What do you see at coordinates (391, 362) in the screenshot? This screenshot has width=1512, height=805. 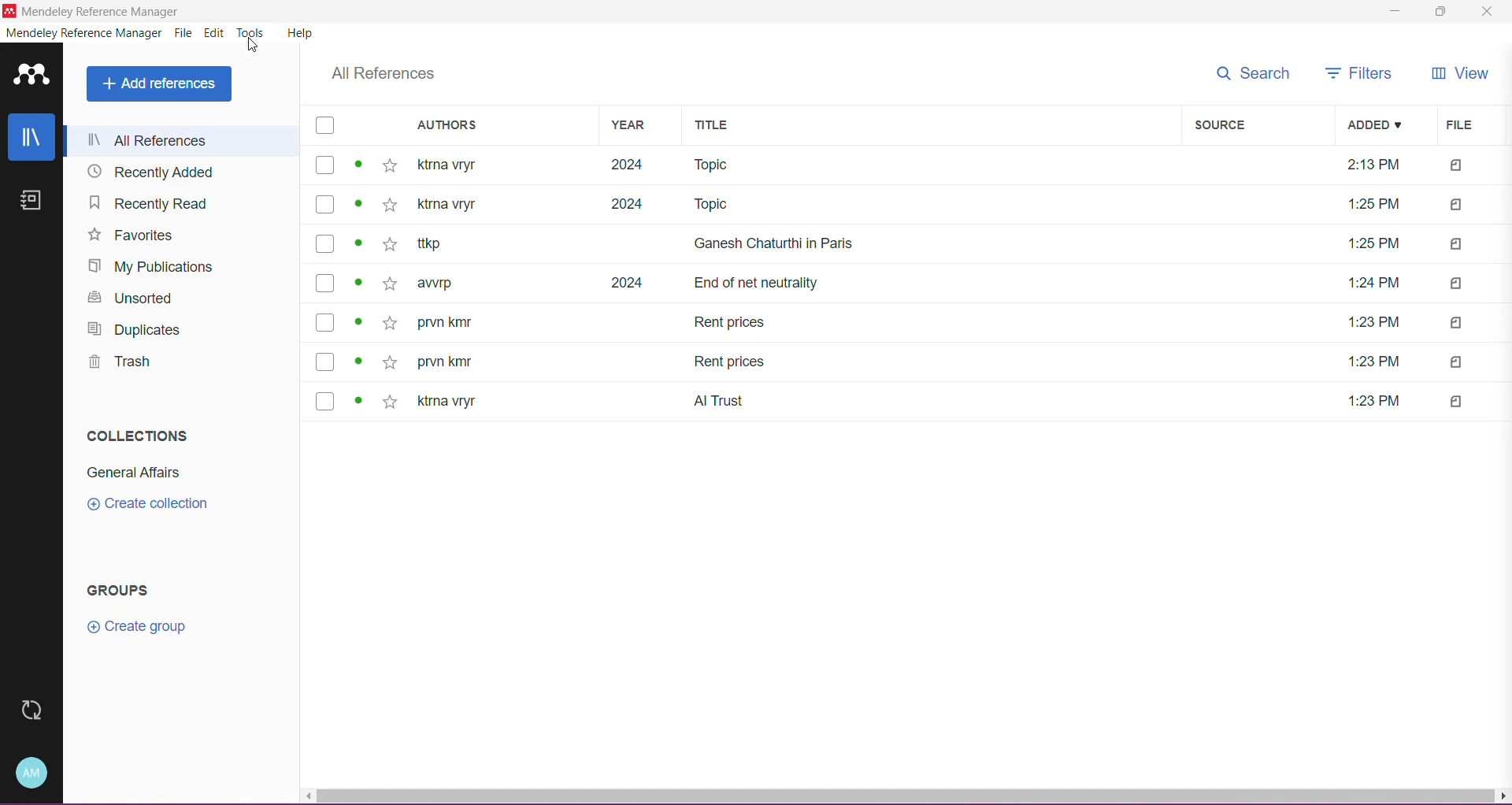 I see `favourite` at bounding box center [391, 362].